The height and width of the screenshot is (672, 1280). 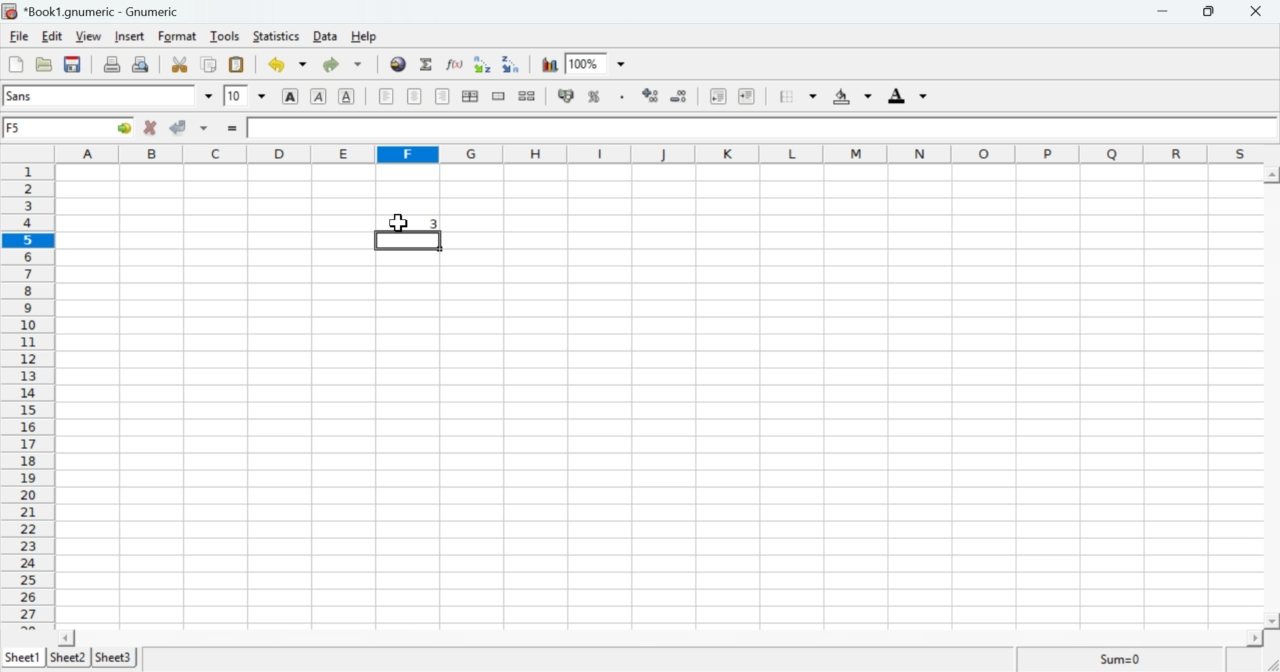 I want to click on Sum=0, so click(x=1123, y=658).